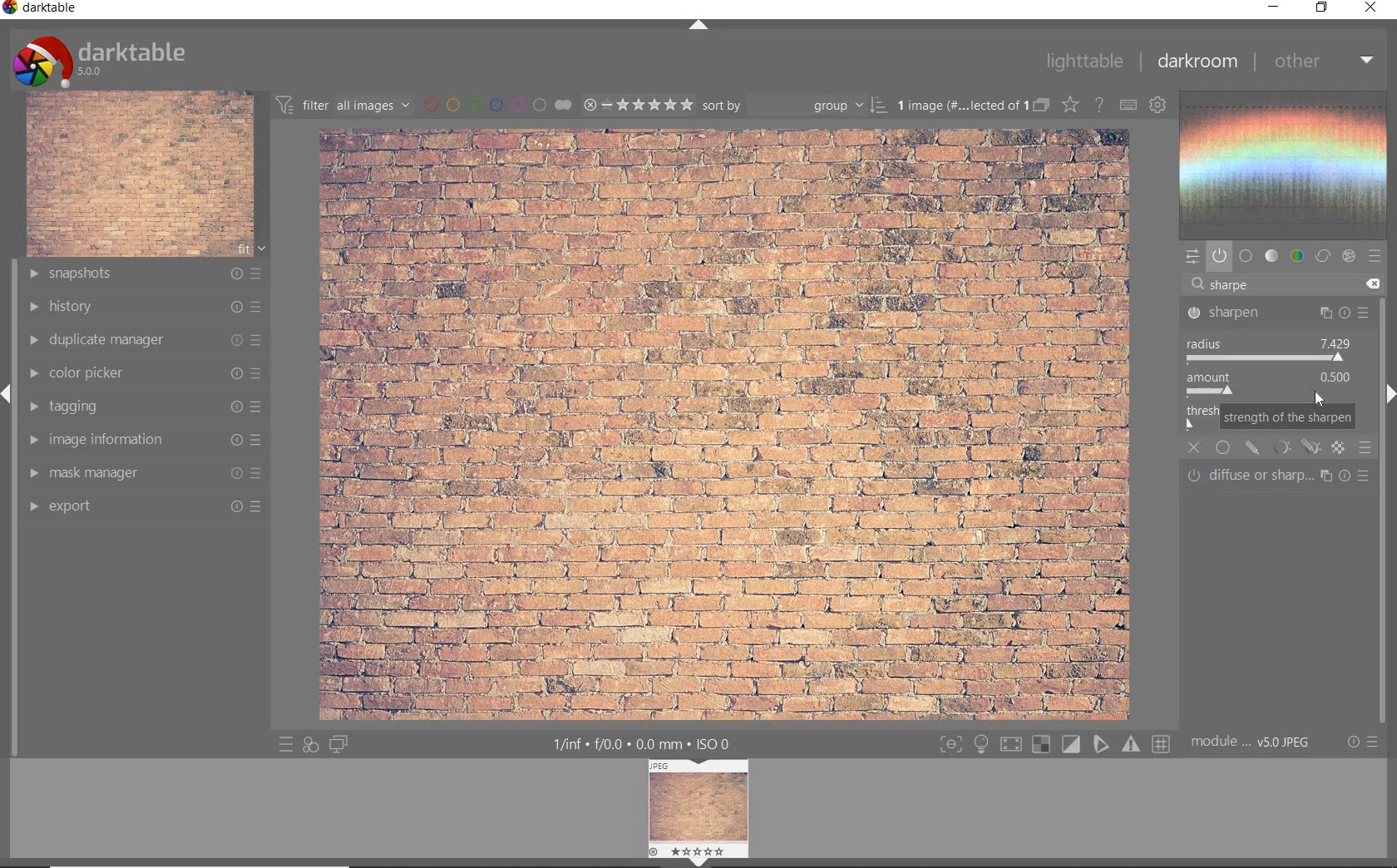 This screenshot has height=868, width=1397. What do you see at coordinates (144, 509) in the screenshot?
I see `export` at bounding box center [144, 509].